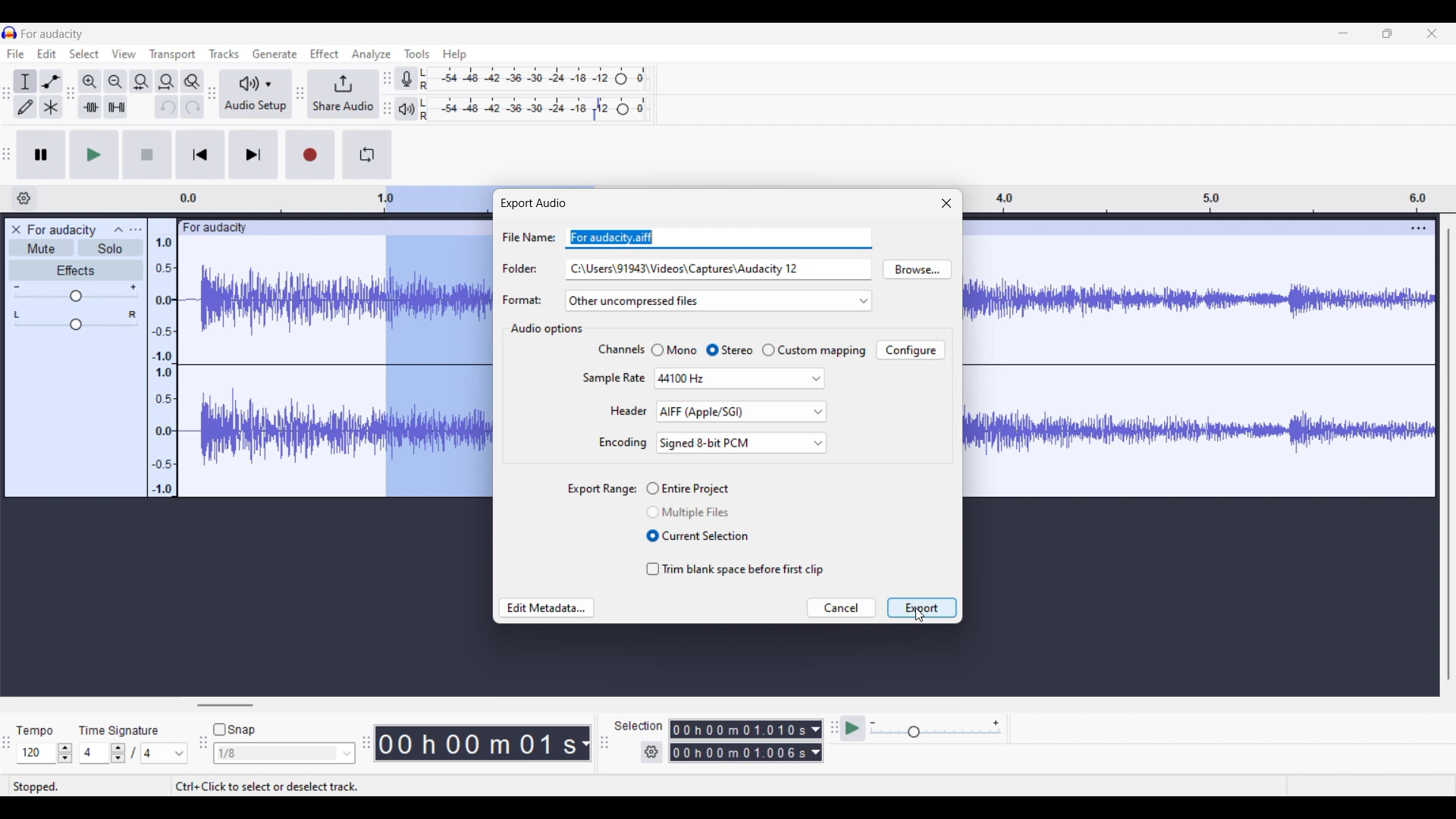  Describe the element at coordinates (523, 236) in the screenshot. I see `File Name:` at that location.